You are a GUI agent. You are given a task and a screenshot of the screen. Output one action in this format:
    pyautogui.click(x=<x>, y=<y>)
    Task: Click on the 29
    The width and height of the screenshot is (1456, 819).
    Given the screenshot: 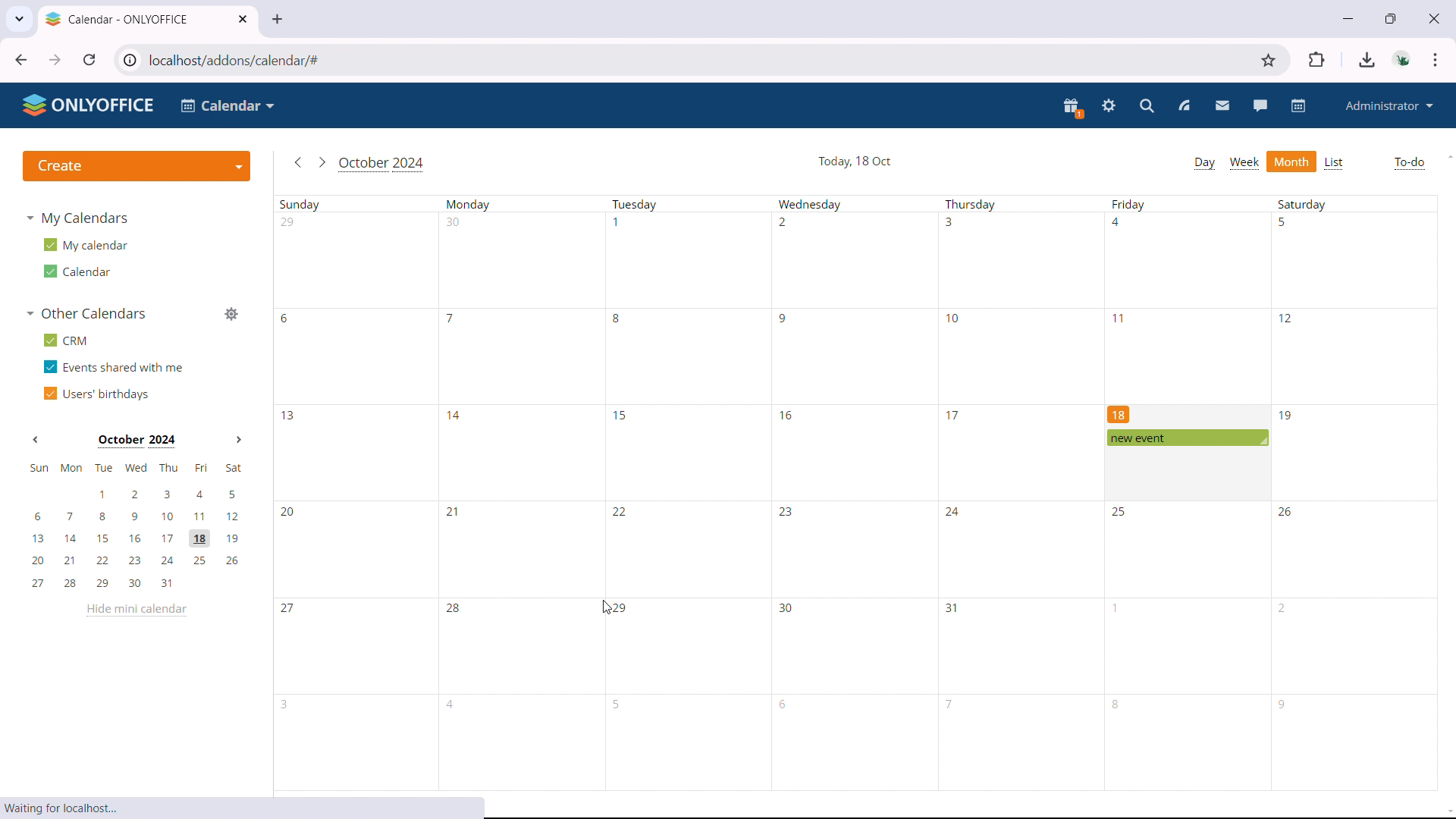 What is the action you would take?
    pyautogui.click(x=620, y=608)
    